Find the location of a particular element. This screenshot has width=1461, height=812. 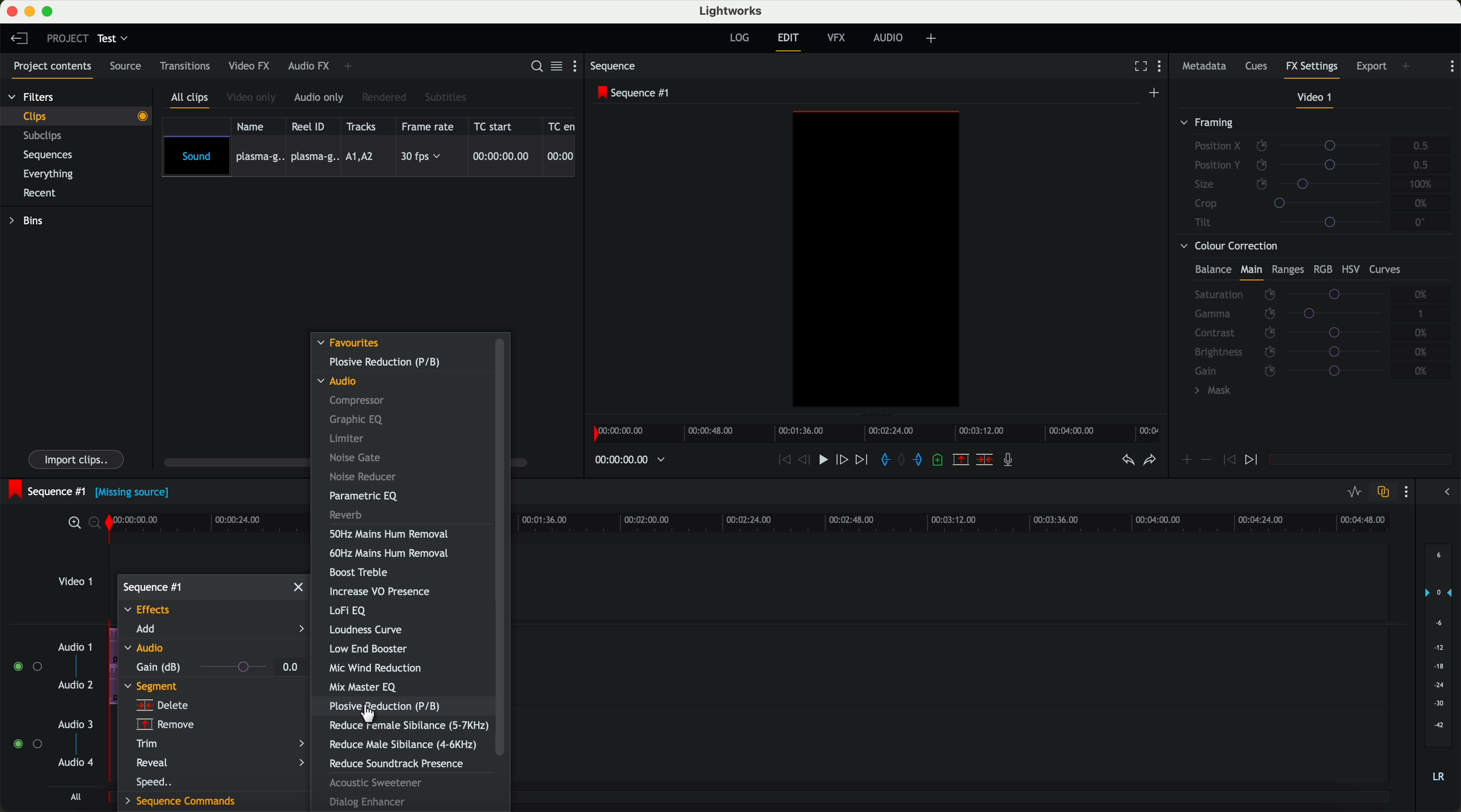

imported sound is located at coordinates (369, 157).